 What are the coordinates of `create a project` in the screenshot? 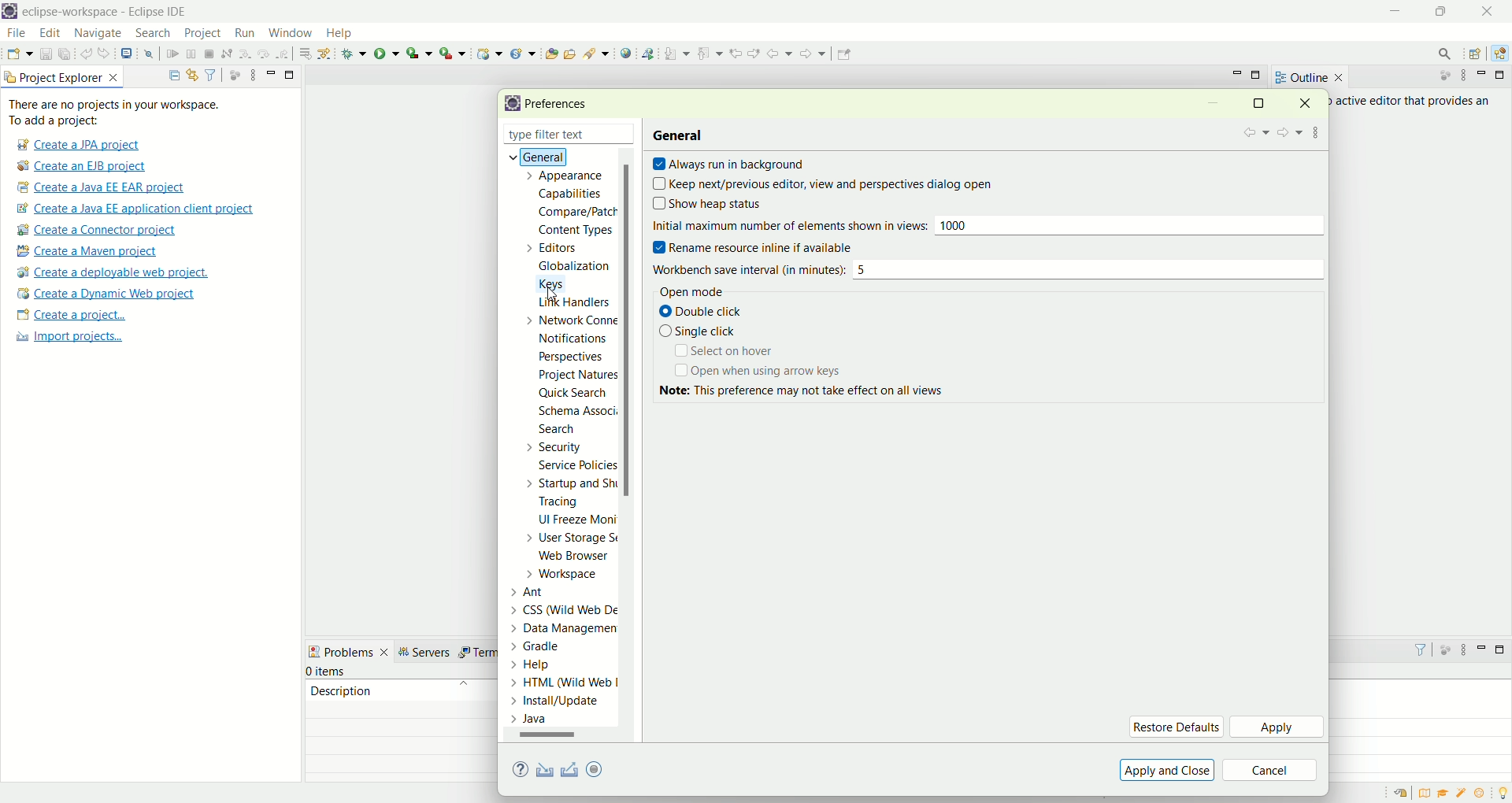 It's located at (72, 316).